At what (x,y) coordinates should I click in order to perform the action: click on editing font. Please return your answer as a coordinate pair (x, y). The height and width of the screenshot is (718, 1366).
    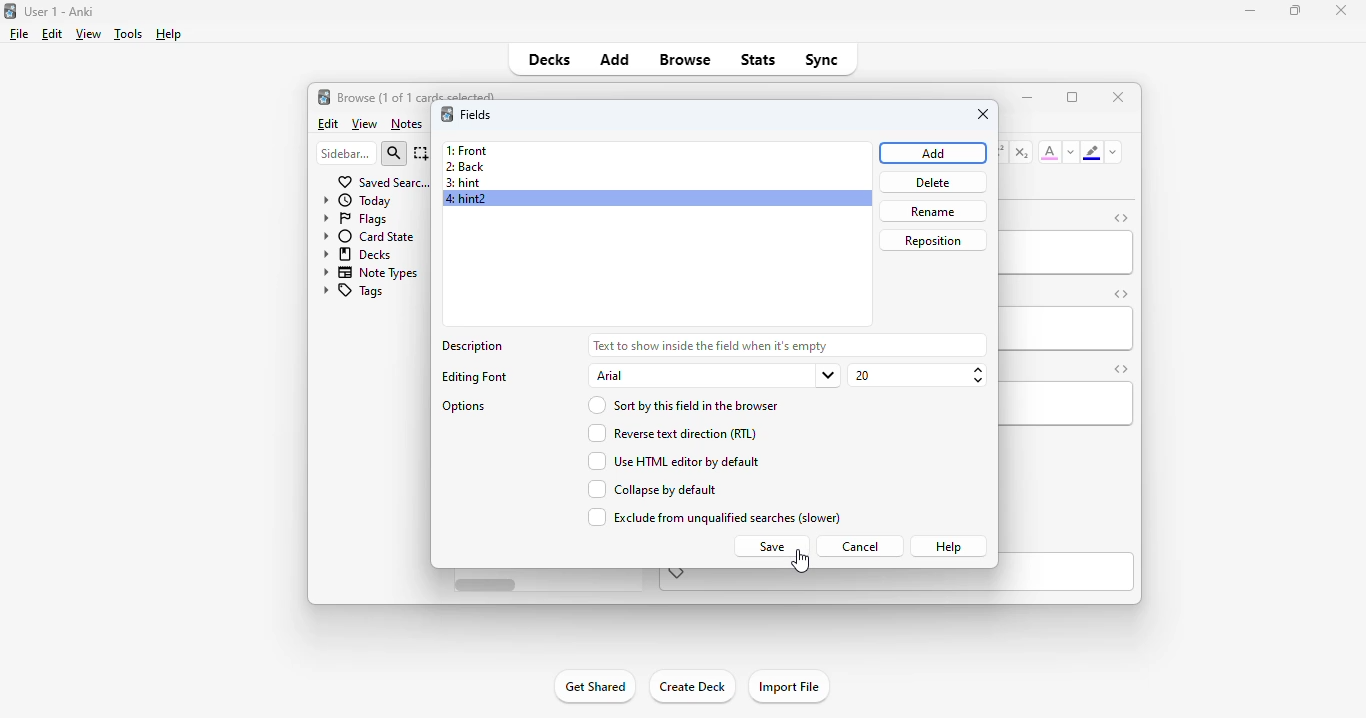
    Looking at the image, I should click on (476, 377).